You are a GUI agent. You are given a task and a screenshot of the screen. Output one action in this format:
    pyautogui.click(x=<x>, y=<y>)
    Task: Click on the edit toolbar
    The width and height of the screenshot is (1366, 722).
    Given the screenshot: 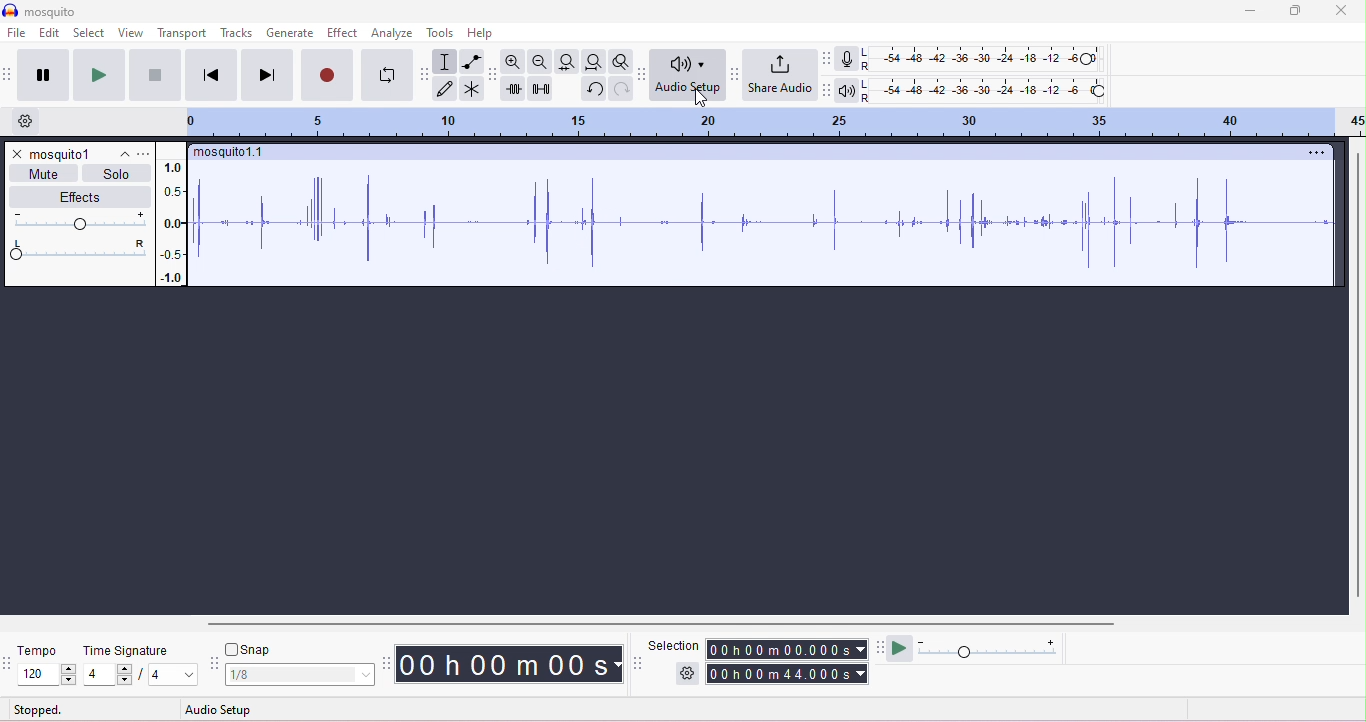 What is the action you would take?
    pyautogui.click(x=493, y=75)
    